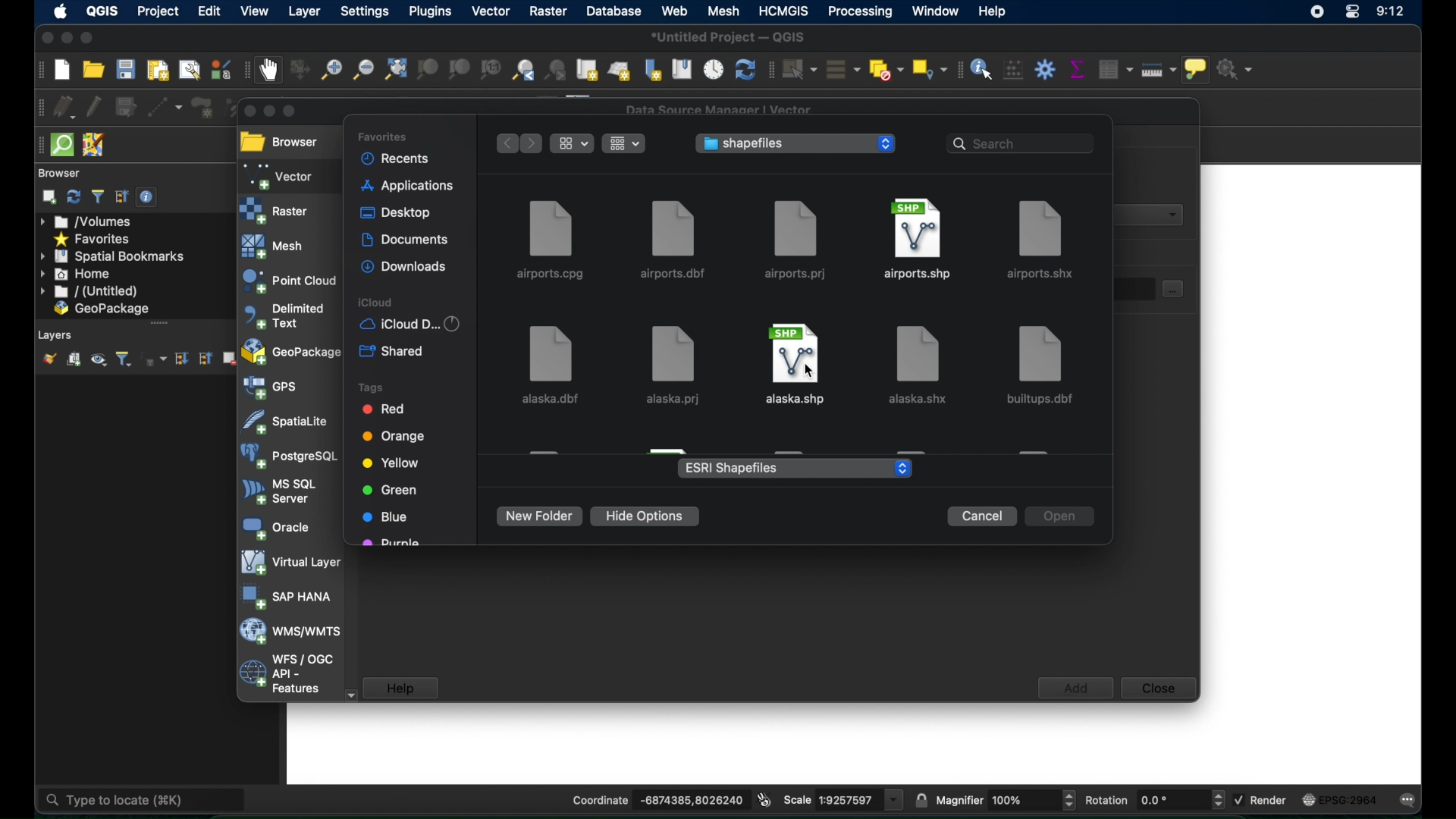 The width and height of the screenshot is (1456, 819). I want to click on sap hana, so click(287, 598).